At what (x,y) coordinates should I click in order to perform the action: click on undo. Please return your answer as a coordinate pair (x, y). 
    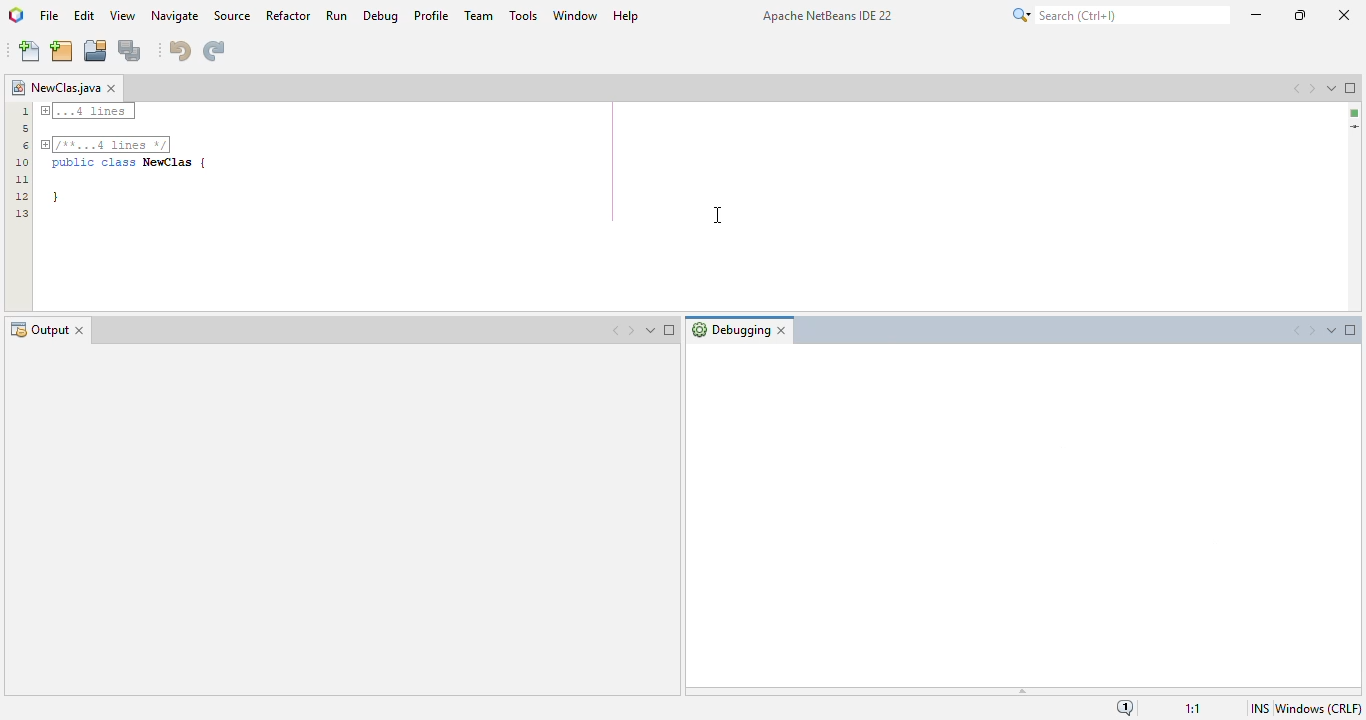
    Looking at the image, I should click on (178, 49).